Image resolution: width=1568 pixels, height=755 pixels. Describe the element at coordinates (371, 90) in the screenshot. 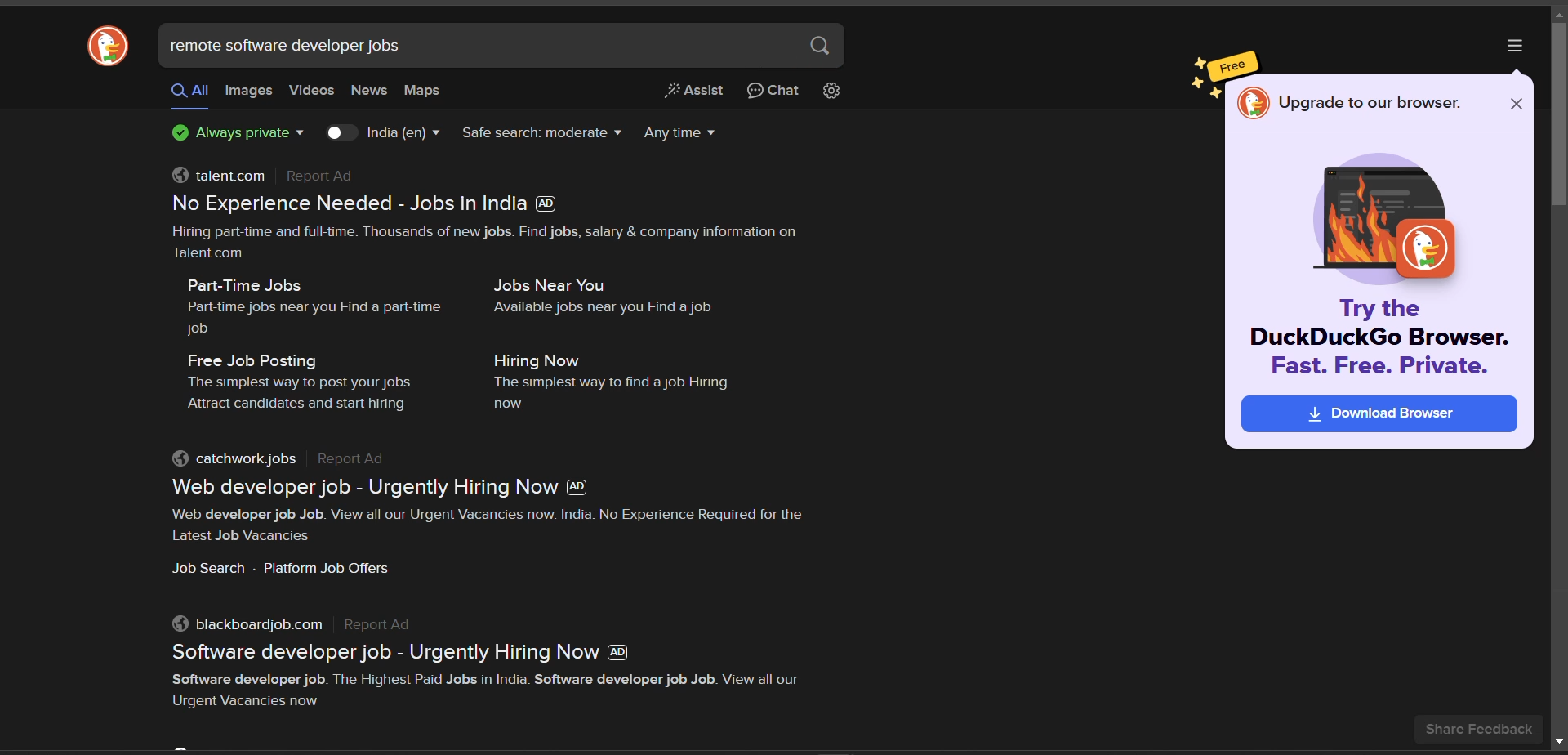

I see `news` at that location.